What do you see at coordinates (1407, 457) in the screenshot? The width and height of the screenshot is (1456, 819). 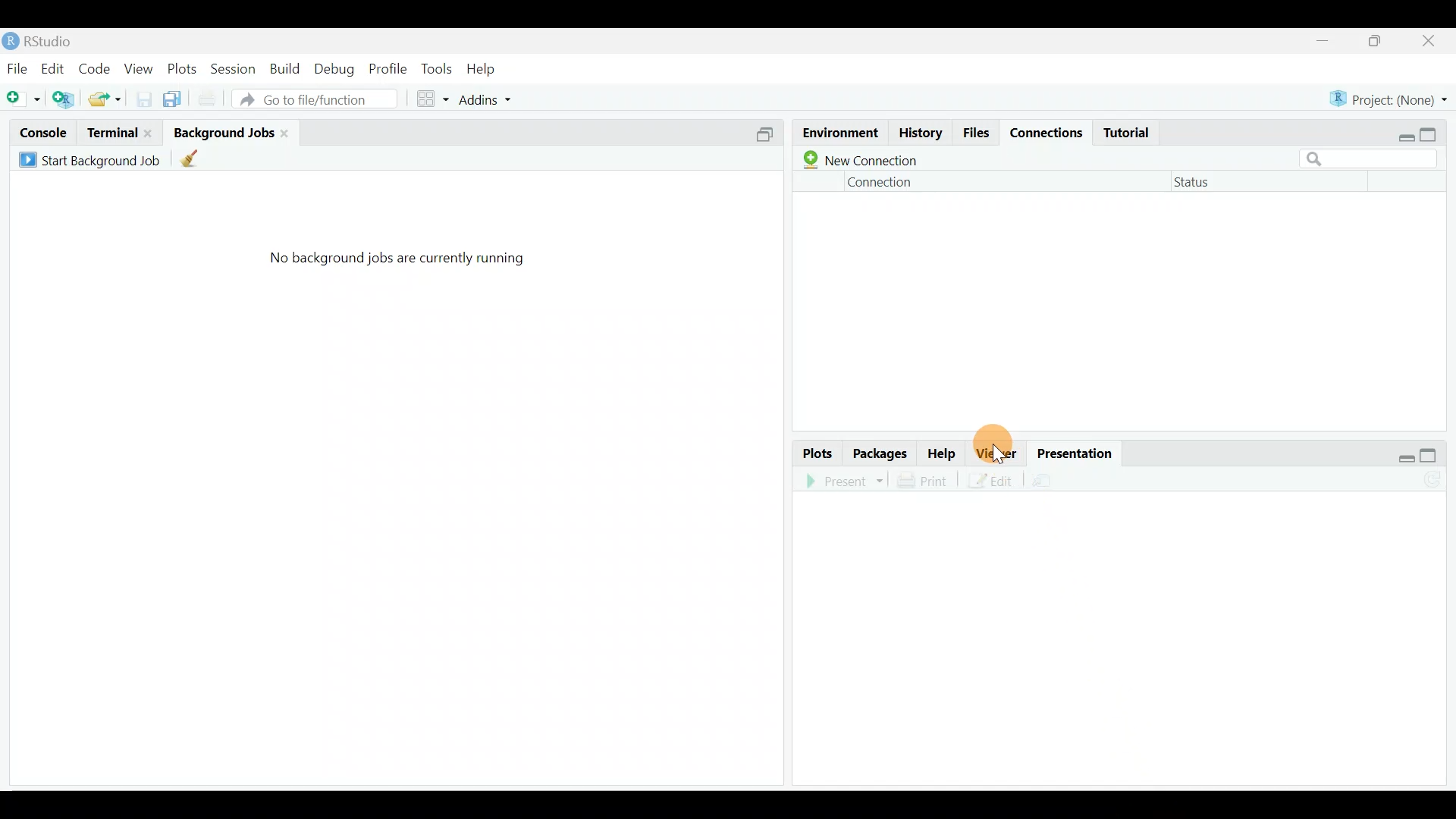 I see `Restore down` at bounding box center [1407, 457].